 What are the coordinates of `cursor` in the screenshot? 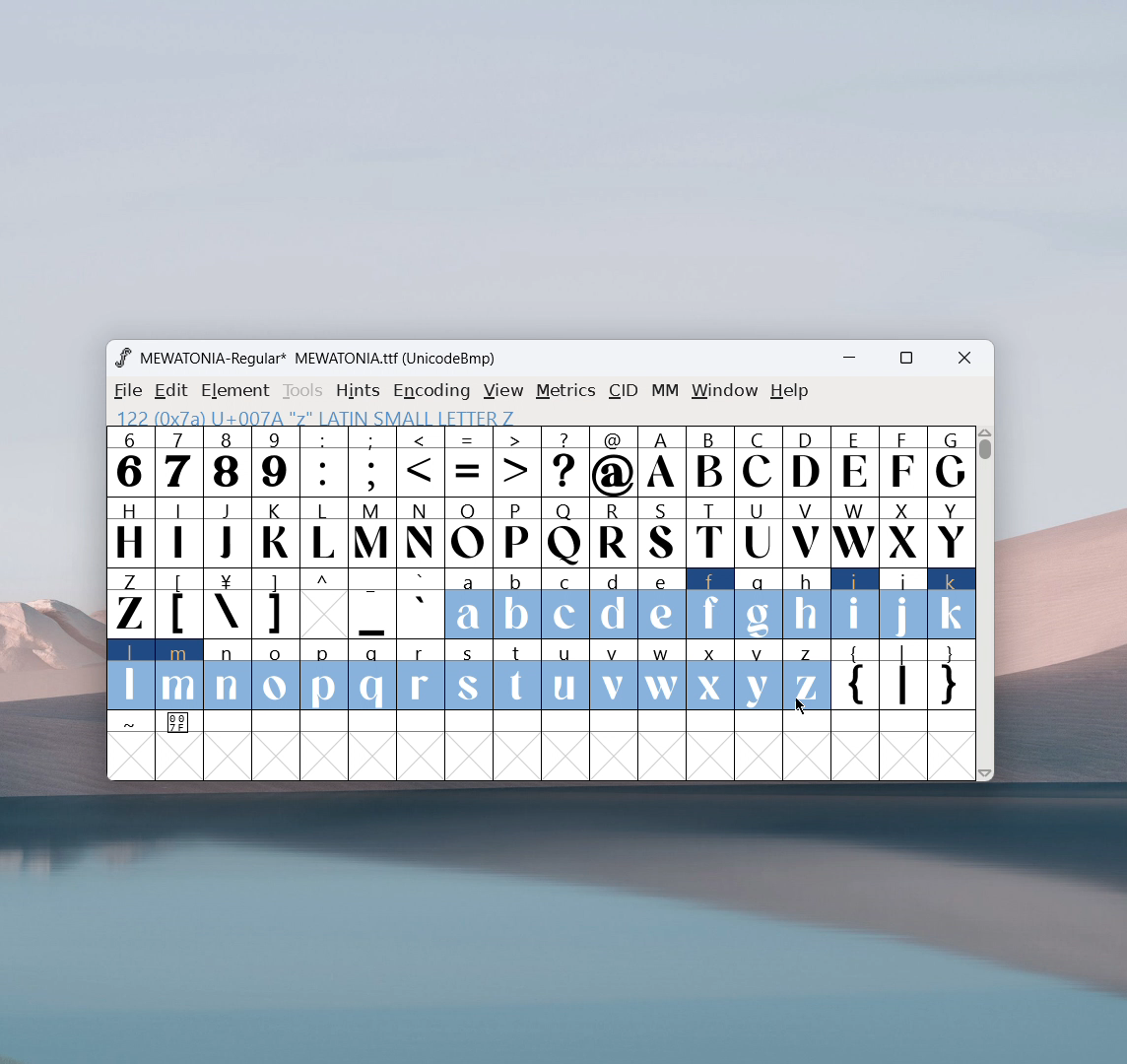 It's located at (801, 706).